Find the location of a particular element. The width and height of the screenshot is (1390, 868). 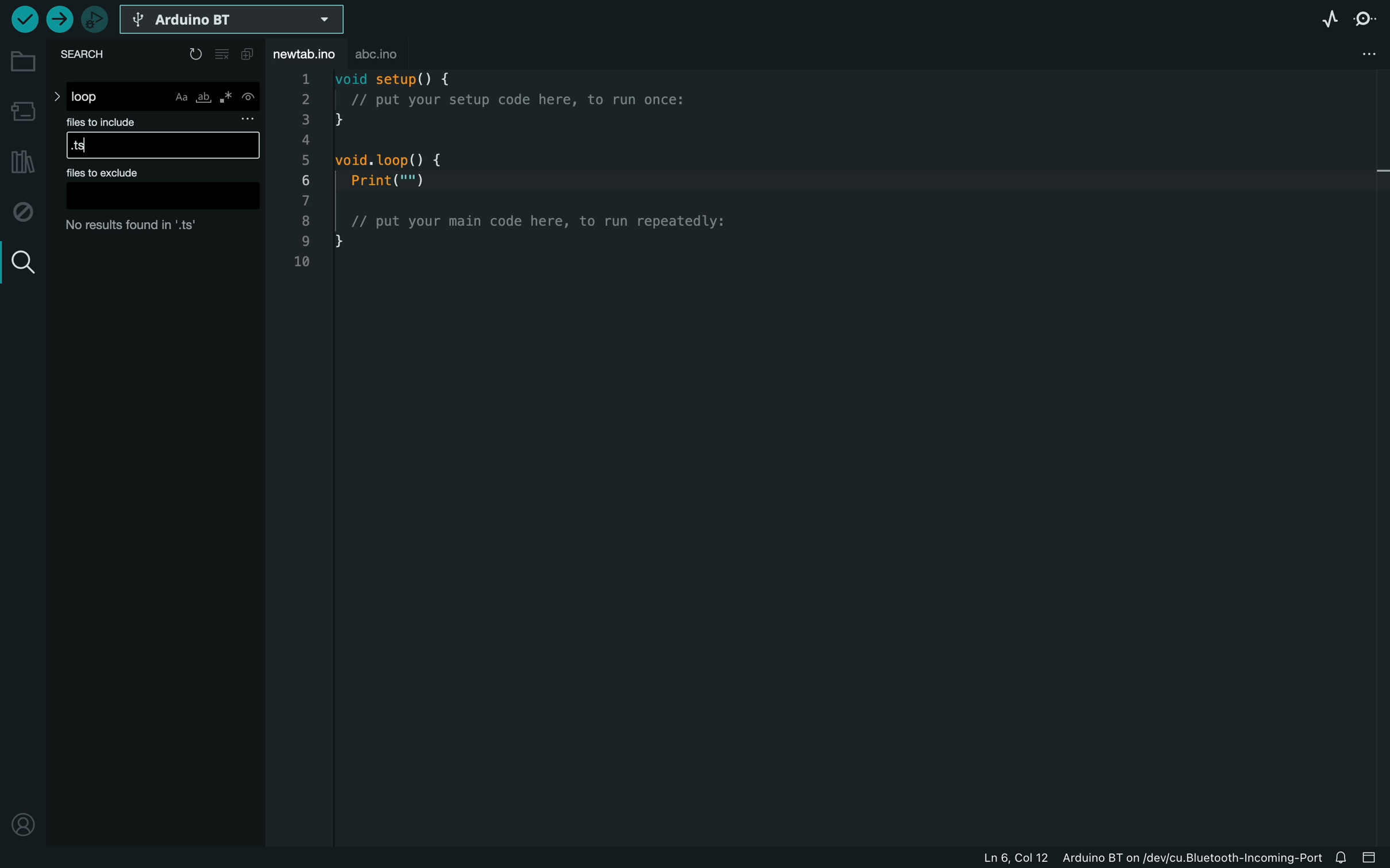

search is located at coordinates (22, 263).